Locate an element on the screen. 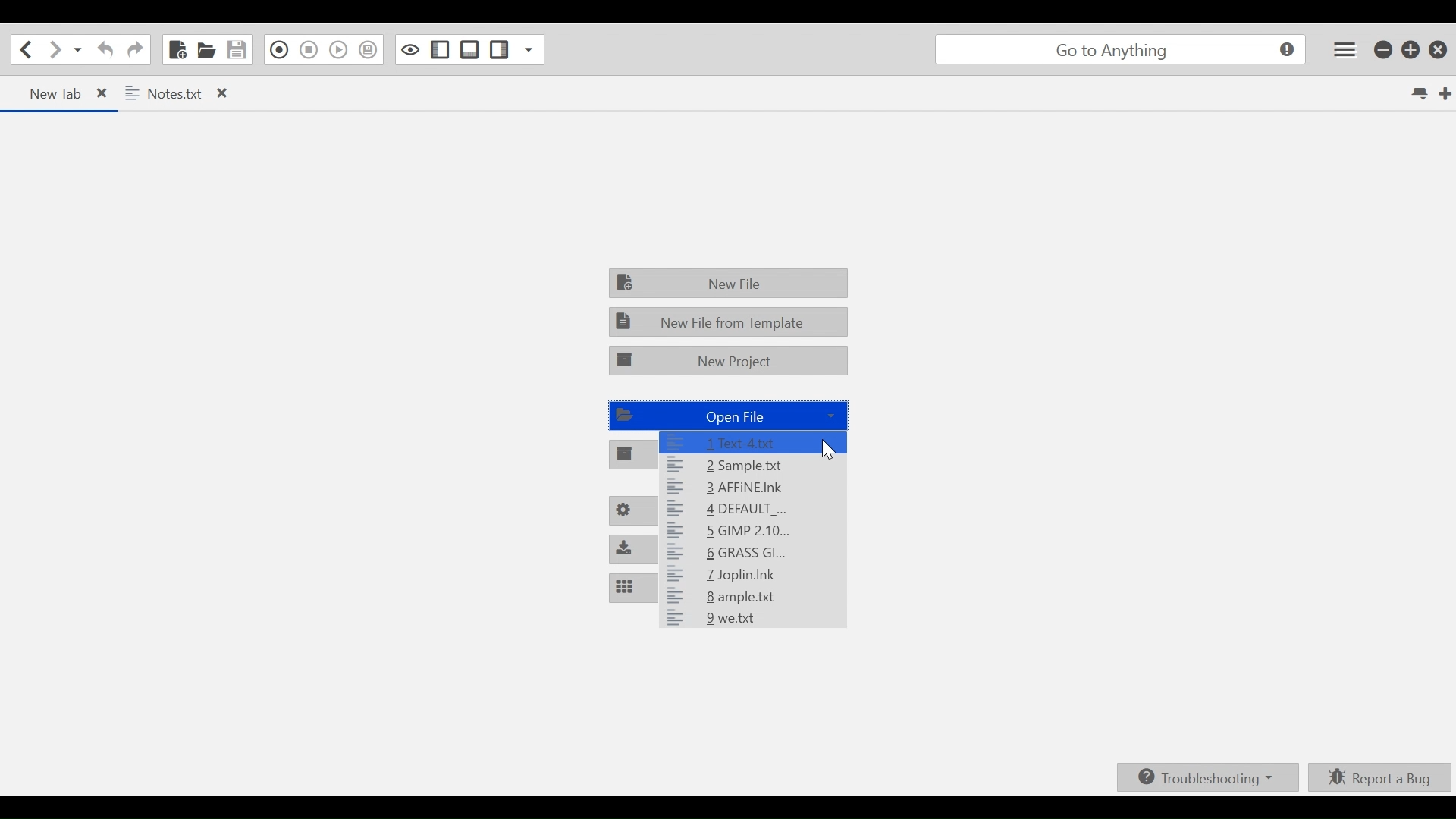 The image size is (1456, 819). Save Macro to Toolbox as Superscript is located at coordinates (371, 48).